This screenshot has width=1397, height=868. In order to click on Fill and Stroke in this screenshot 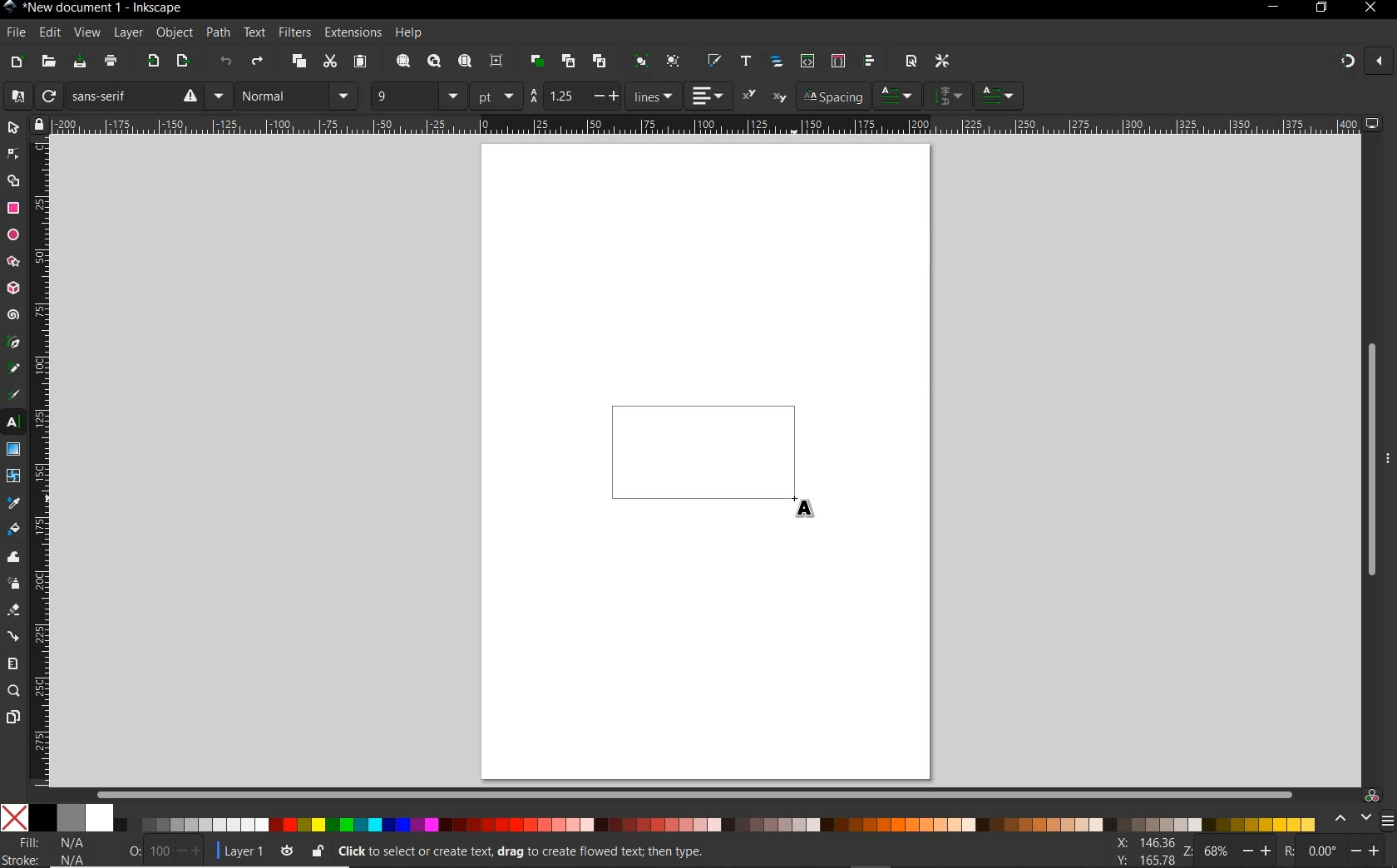, I will do `click(52, 851)`.